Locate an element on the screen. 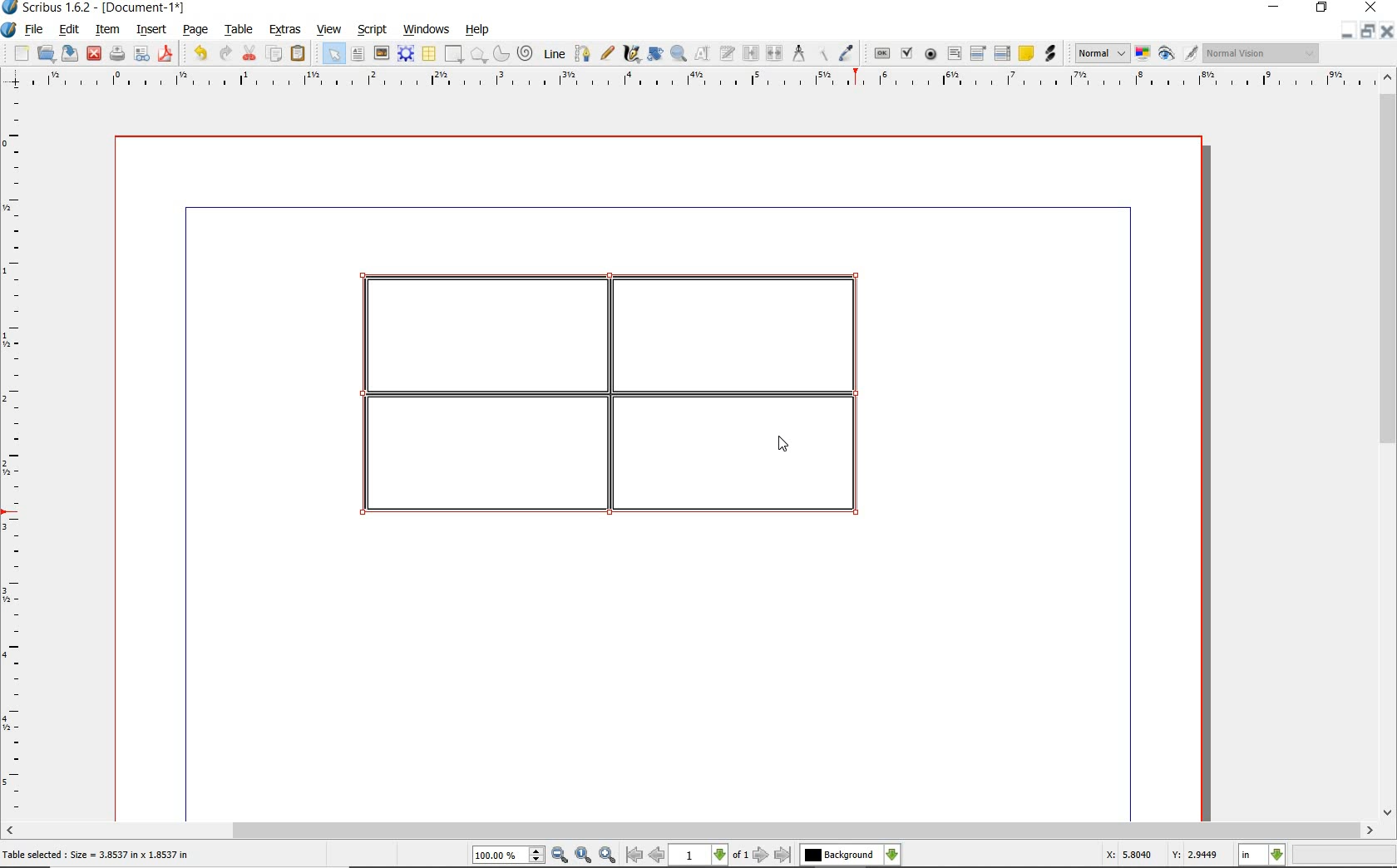 The height and width of the screenshot is (868, 1397). eye dropper is located at coordinates (847, 53).